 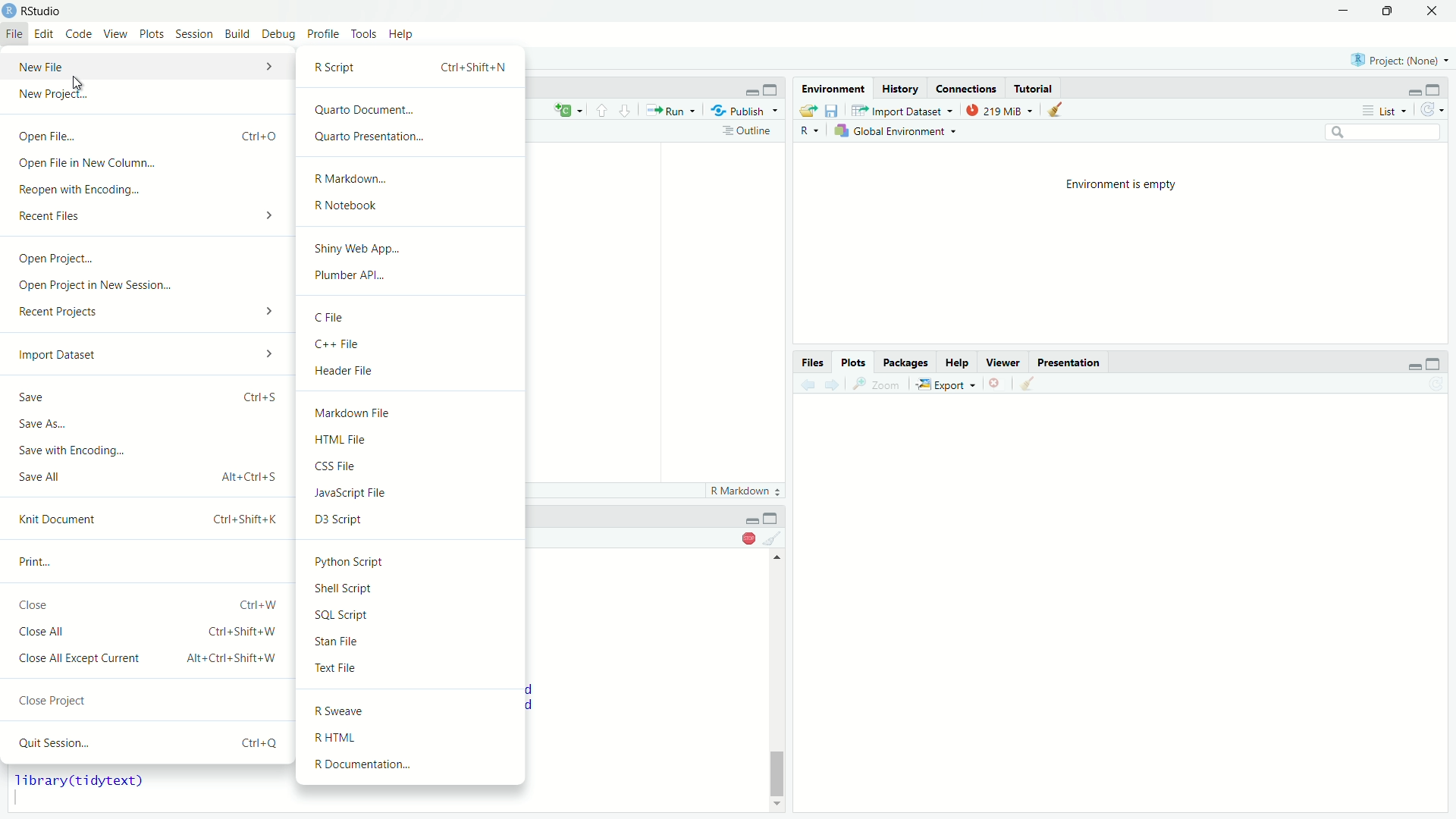 What do you see at coordinates (966, 87) in the screenshot?
I see `Connections` at bounding box center [966, 87].